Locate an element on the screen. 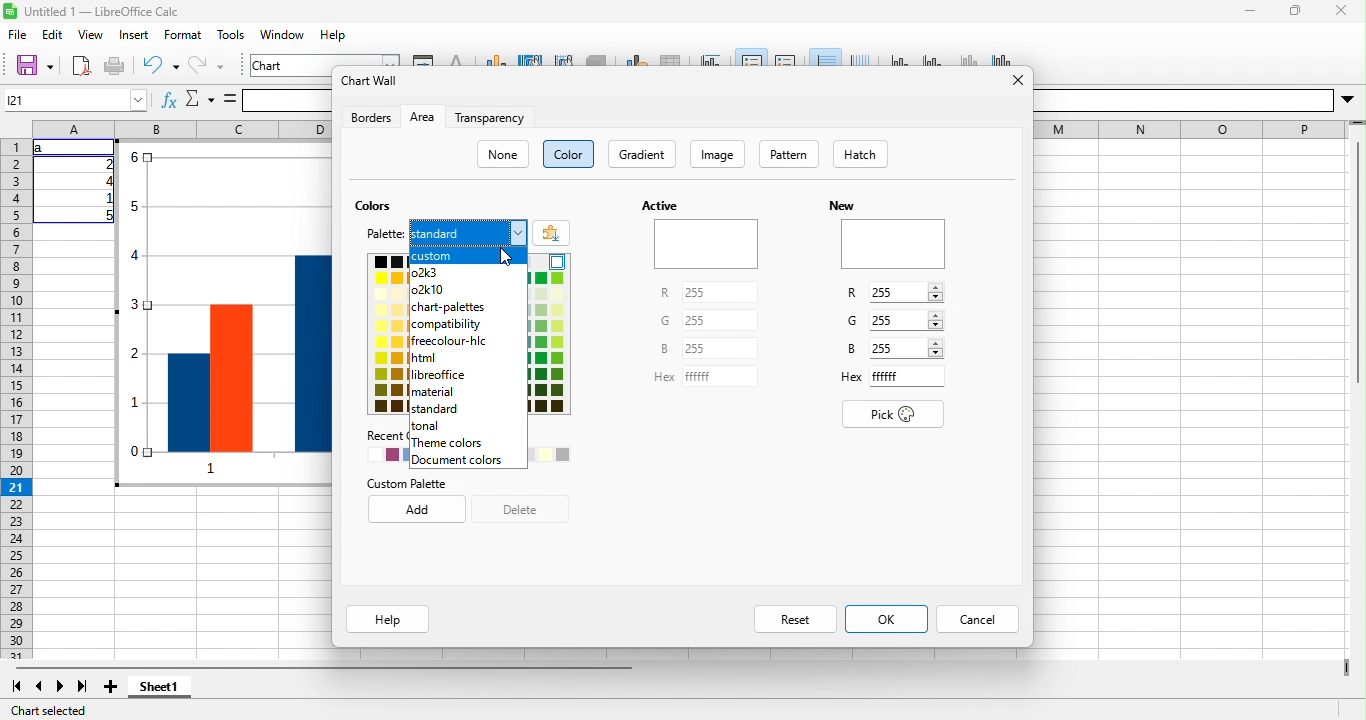 The width and height of the screenshot is (1366, 720). file is located at coordinates (18, 34).